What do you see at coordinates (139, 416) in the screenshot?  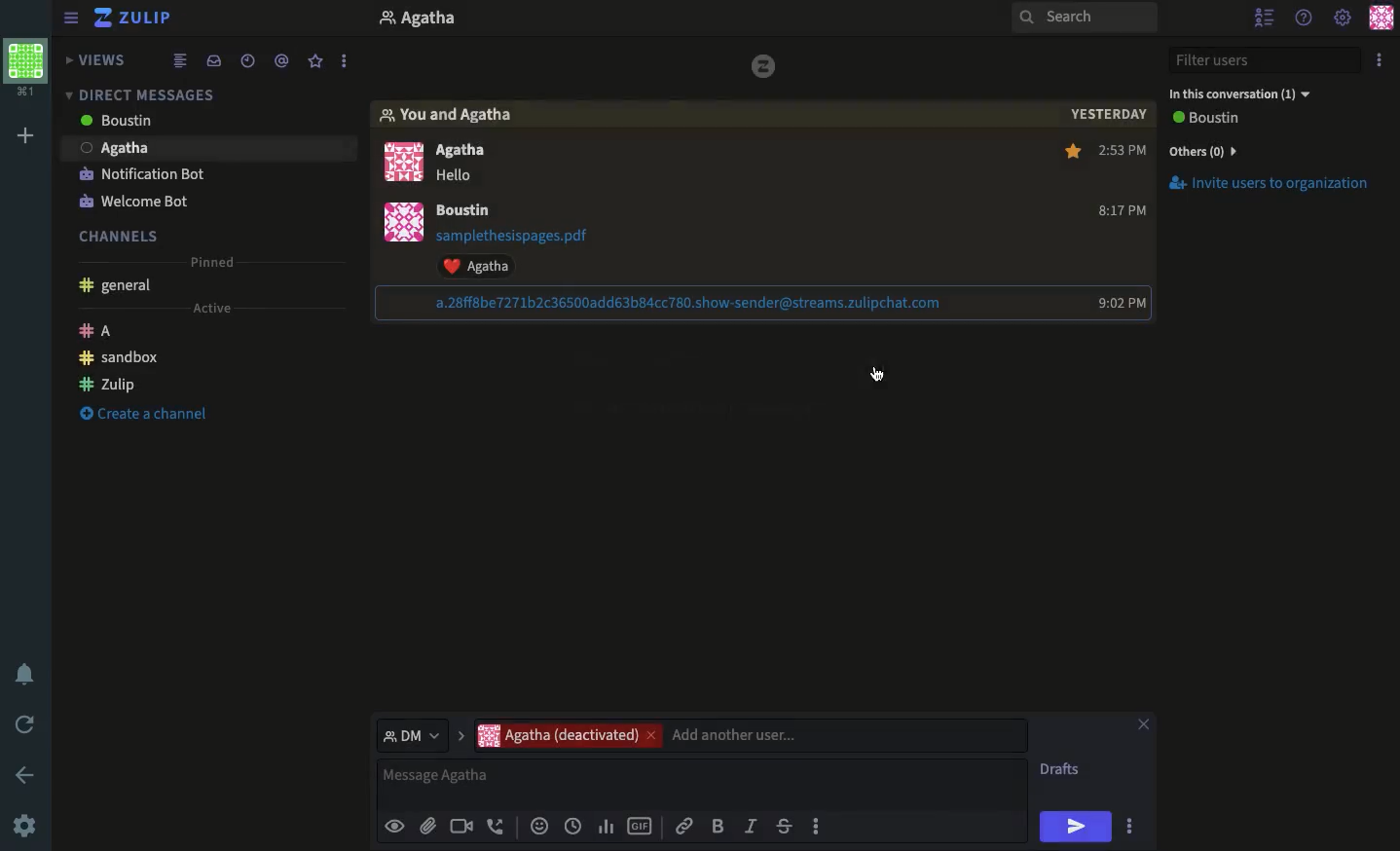 I see `Create a channel` at bounding box center [139, 416].